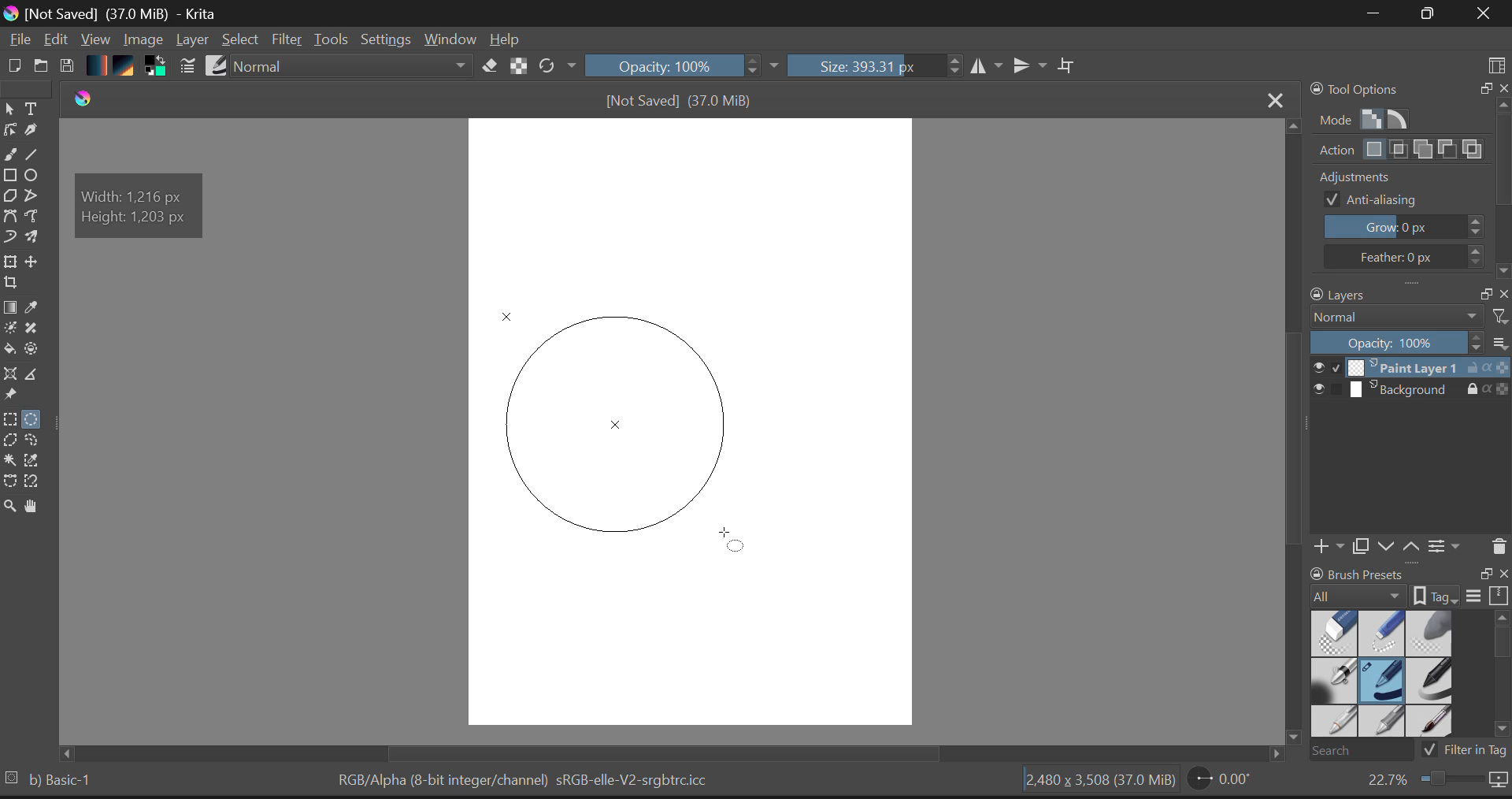  What do you see at coordinates (9, 504) in the screenshot?
I see `Zoom` at bounding box center [9, 504].